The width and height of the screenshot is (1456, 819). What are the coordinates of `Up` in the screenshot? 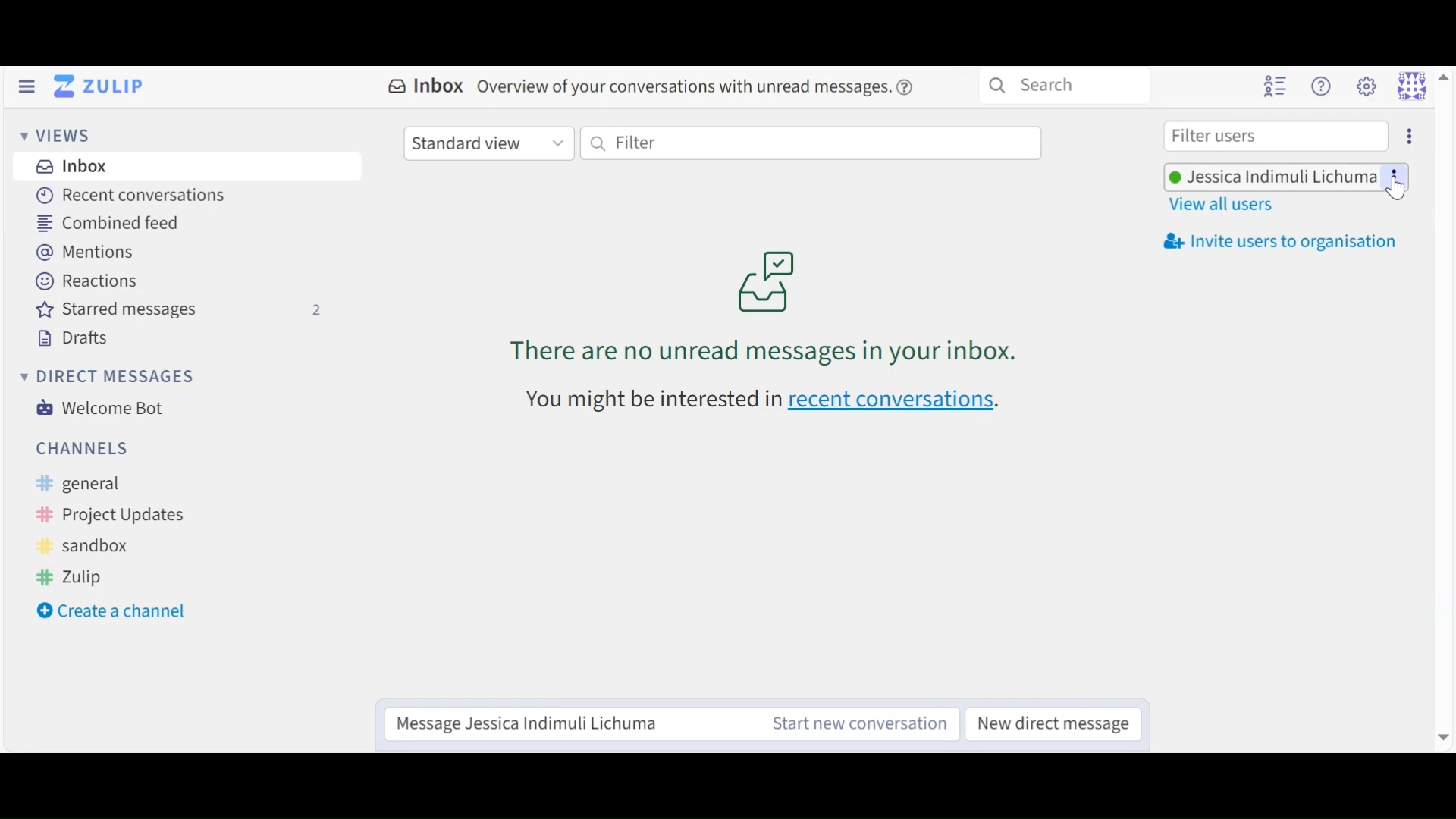 It's located at (1443, 76).